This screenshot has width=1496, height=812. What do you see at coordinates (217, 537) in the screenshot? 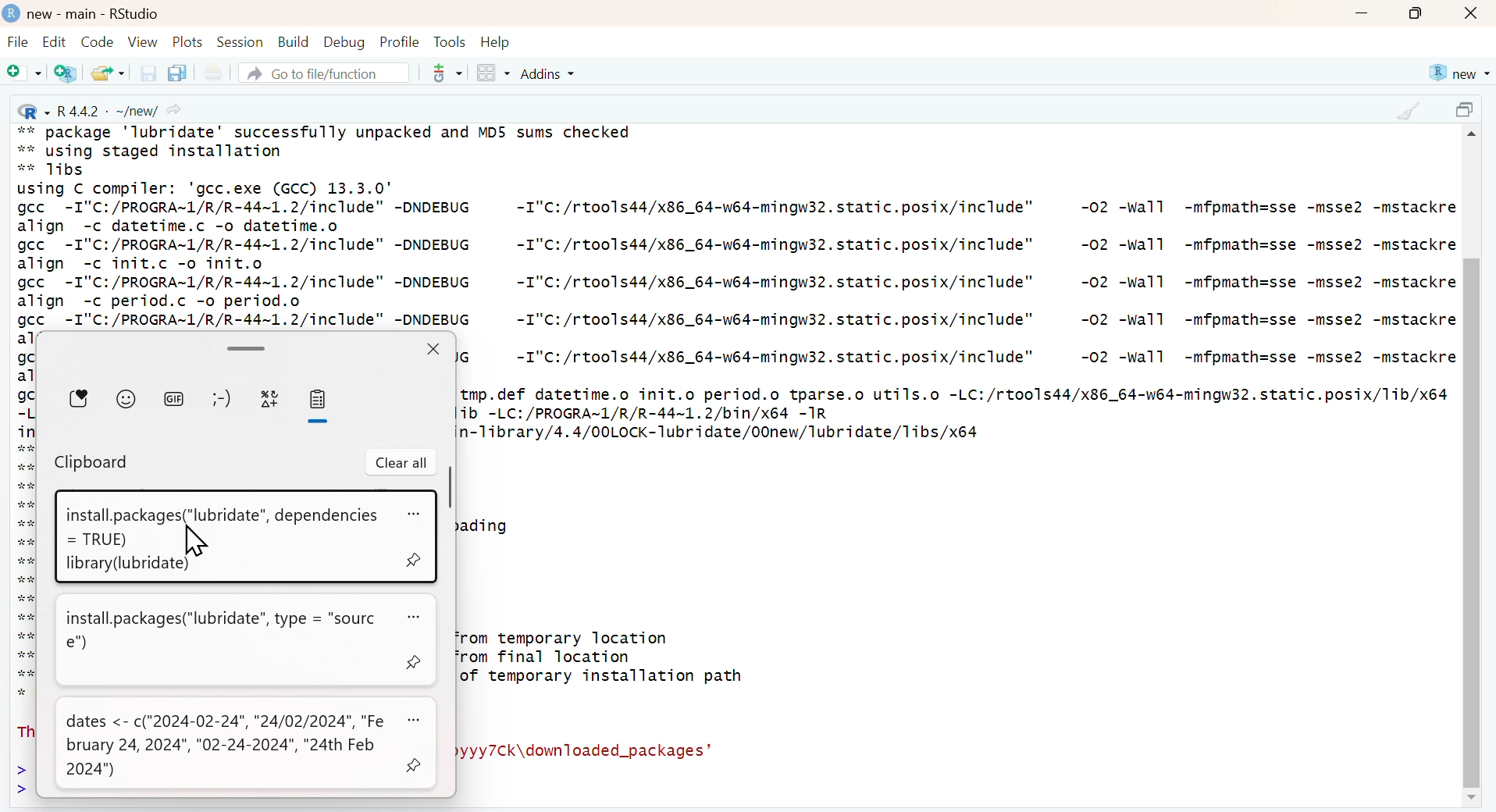
I see `install.packages("lubridate”, dependencies
= TRUE)
library(lubridate)` at bounding box center [217, 537].